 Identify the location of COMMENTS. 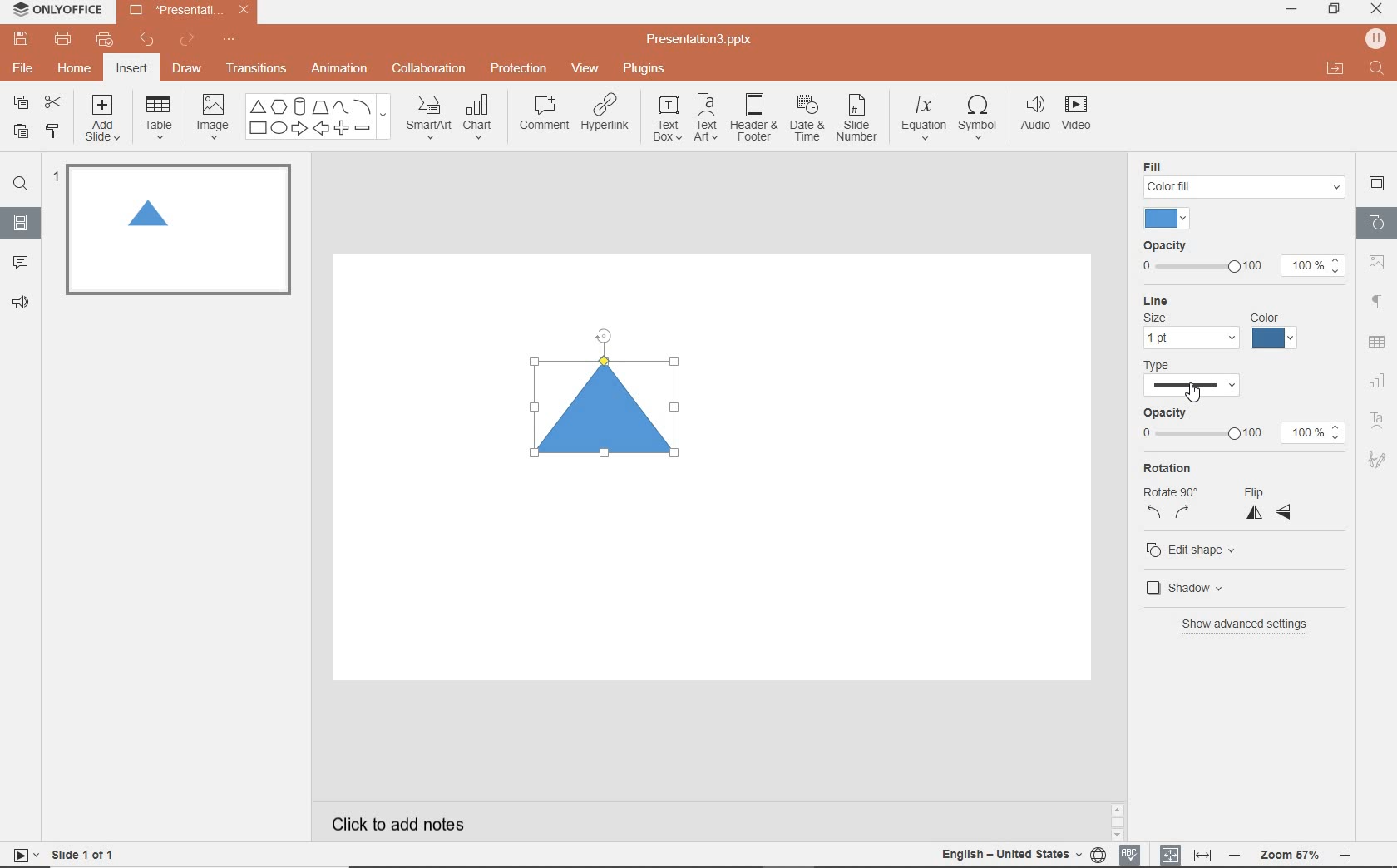
(20, 261).